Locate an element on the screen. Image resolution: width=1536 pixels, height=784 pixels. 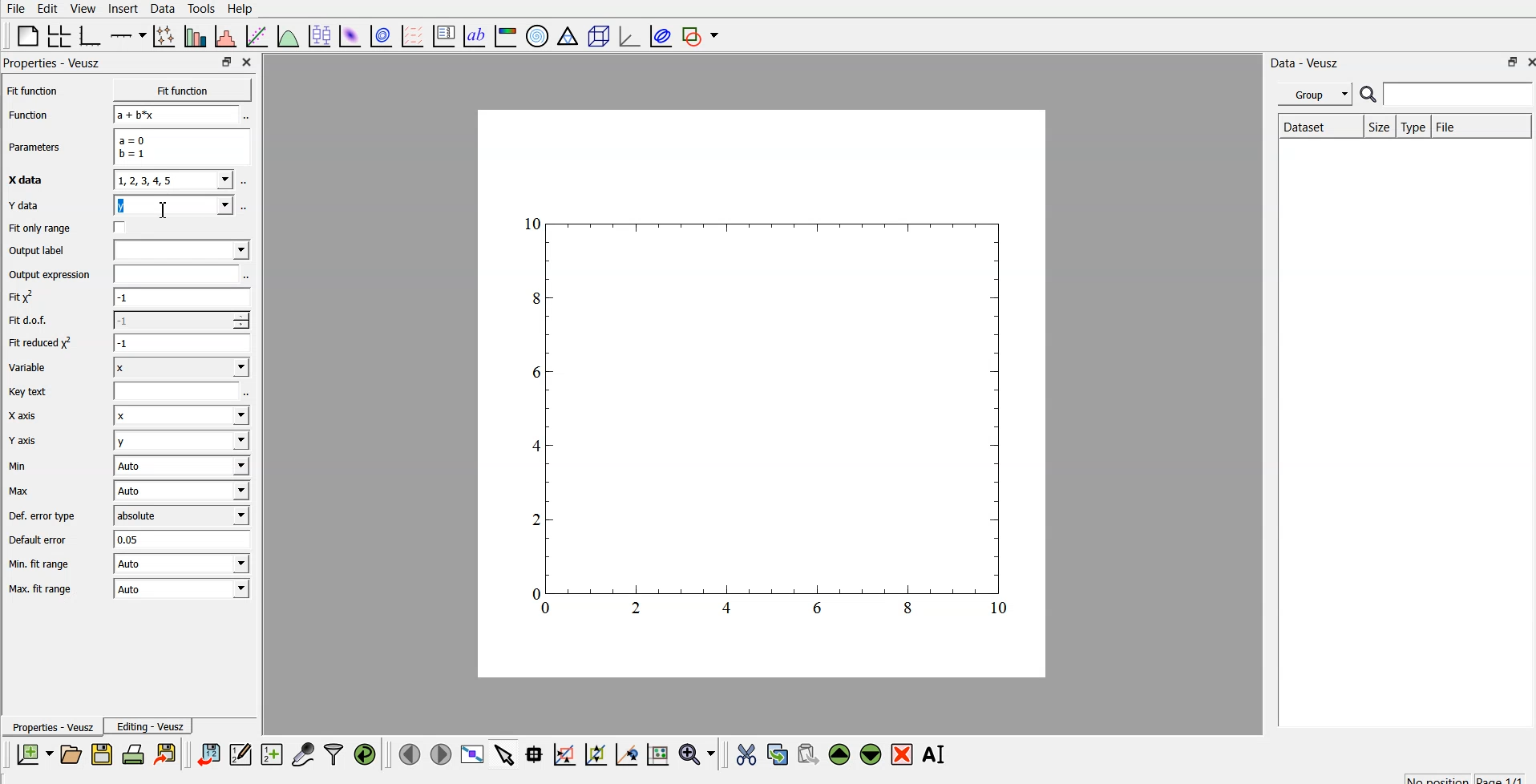
Fit function is located at coordinates (45, 91).